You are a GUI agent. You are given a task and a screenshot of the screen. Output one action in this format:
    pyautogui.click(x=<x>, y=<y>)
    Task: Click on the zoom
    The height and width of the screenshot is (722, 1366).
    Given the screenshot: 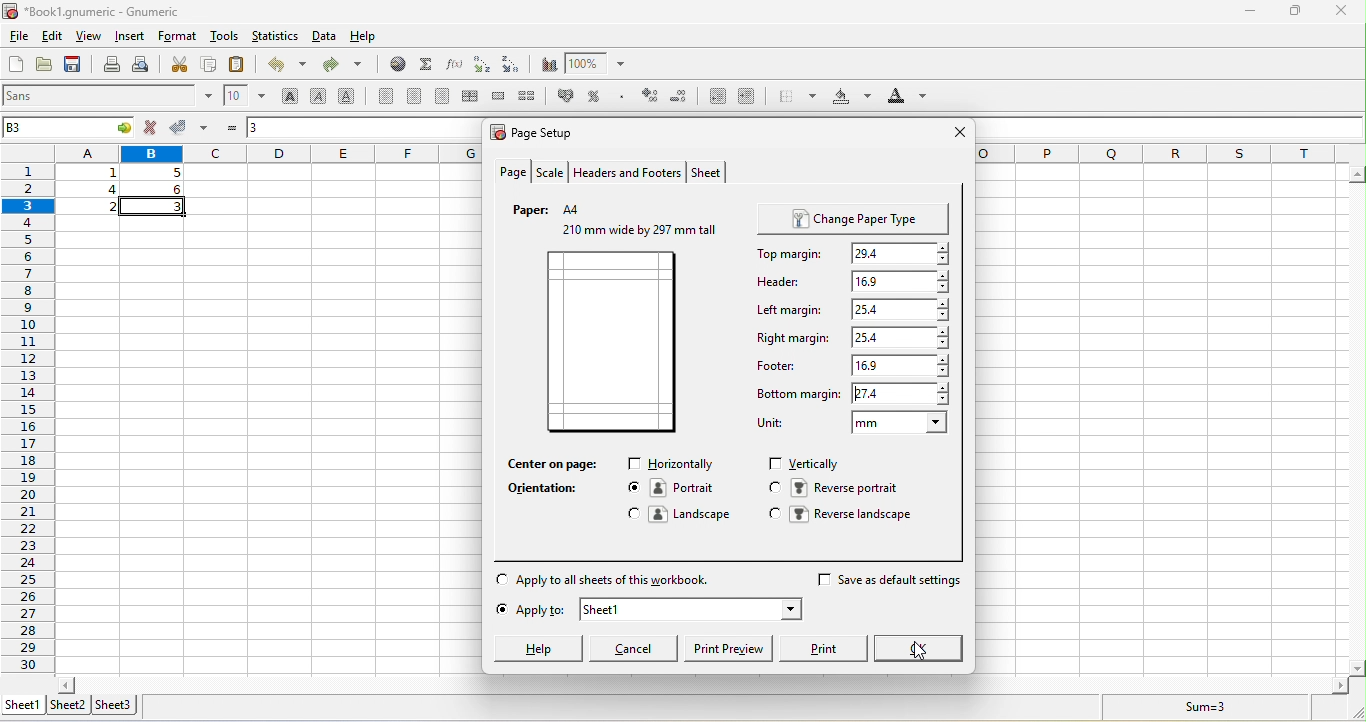 What is the action you would take?
    pyautogui.click(x=602, y=64)
    